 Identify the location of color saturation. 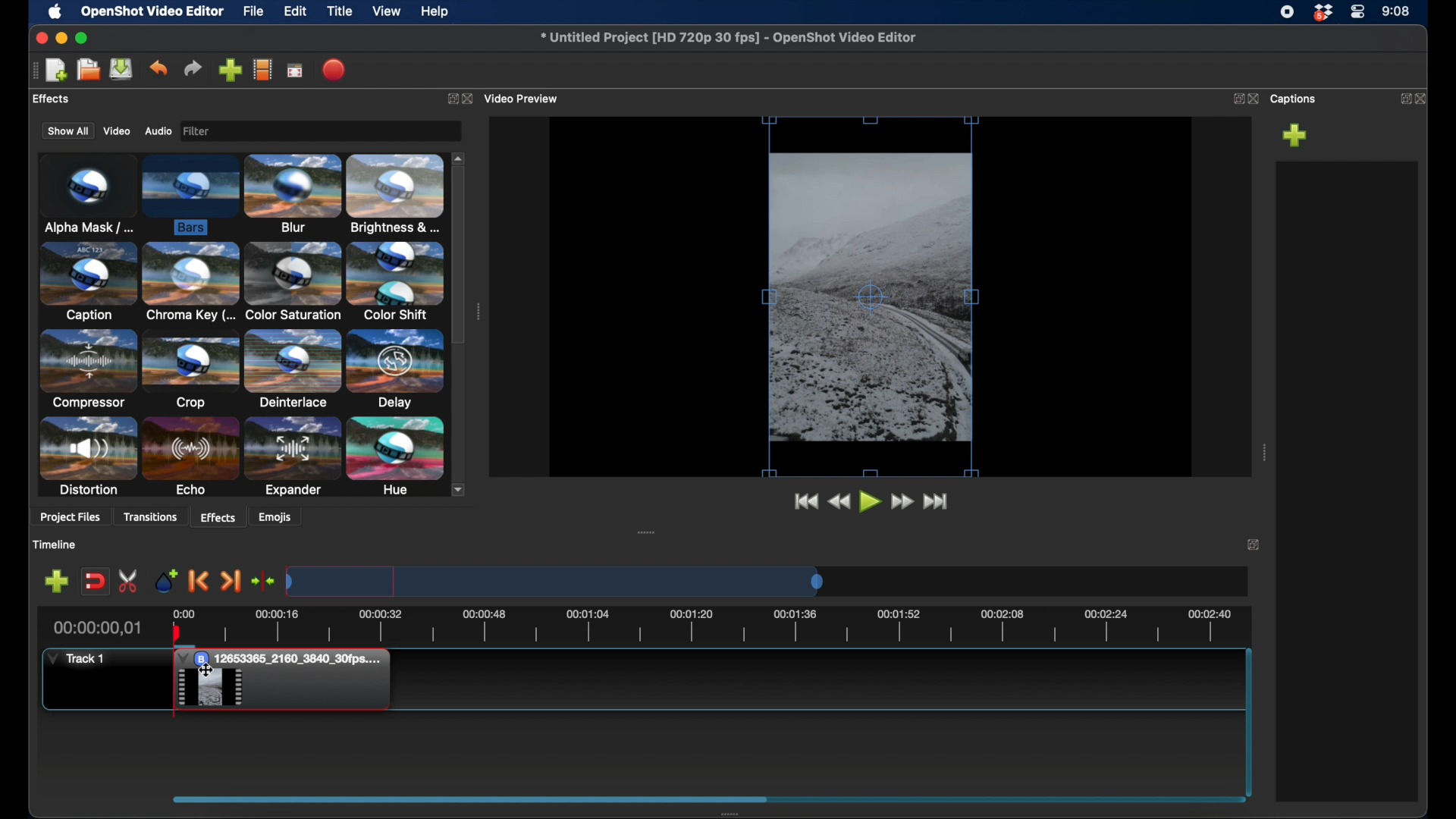
(293, 282).